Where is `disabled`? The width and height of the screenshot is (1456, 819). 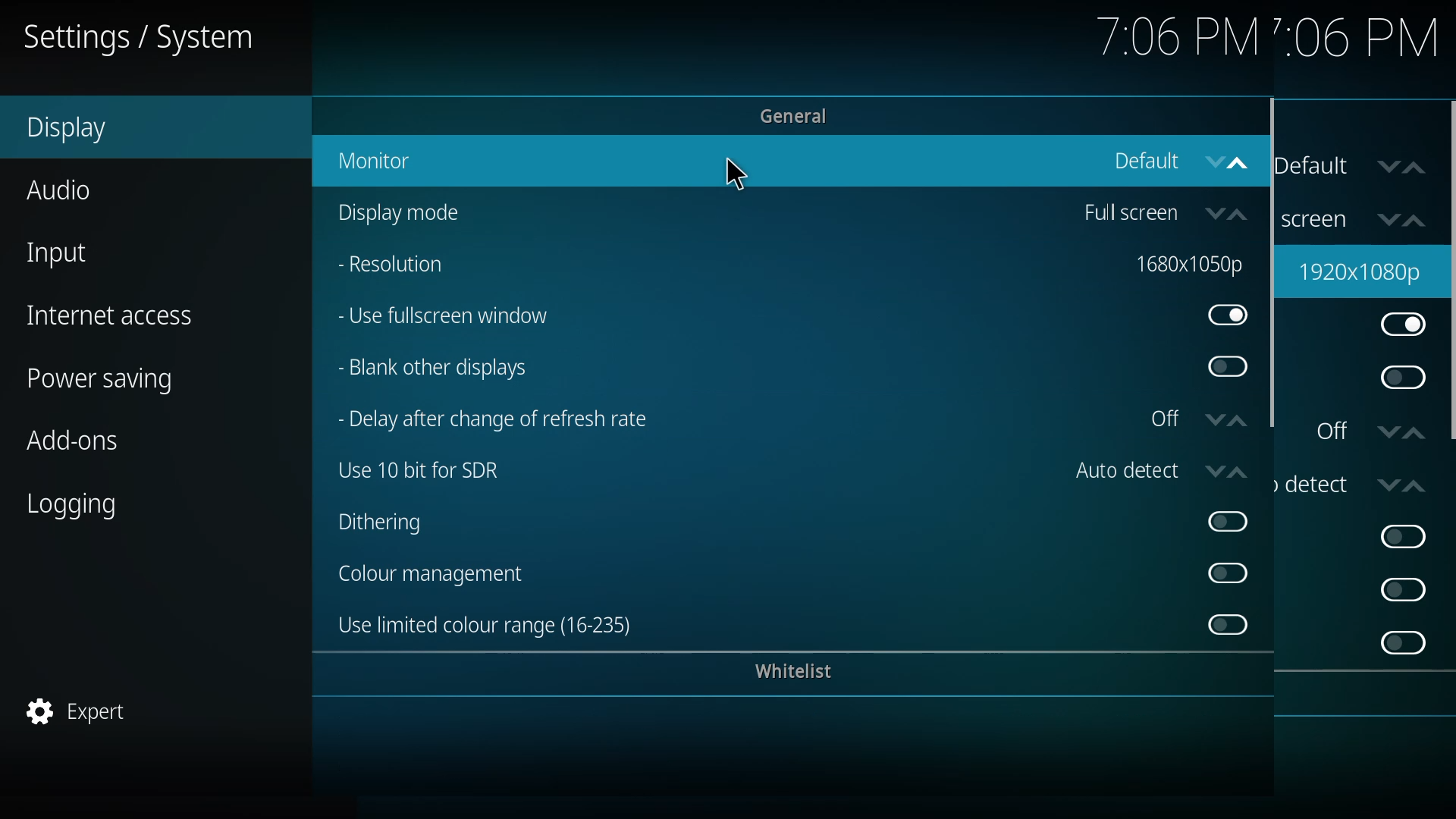 disabled is located at coordinates (1222, 573).